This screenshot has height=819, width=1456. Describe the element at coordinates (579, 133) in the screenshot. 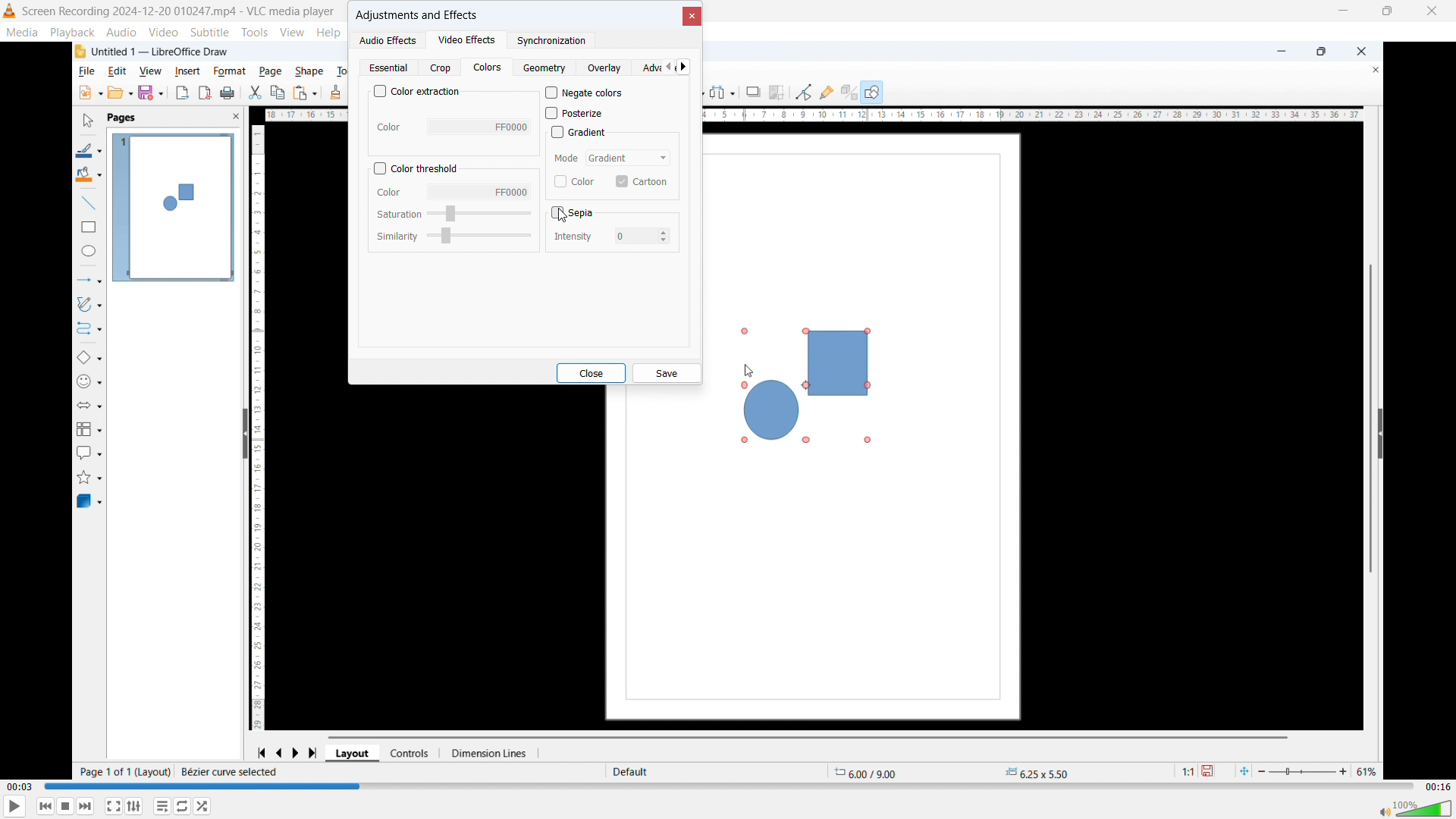

I see `Gradient ` at that location.